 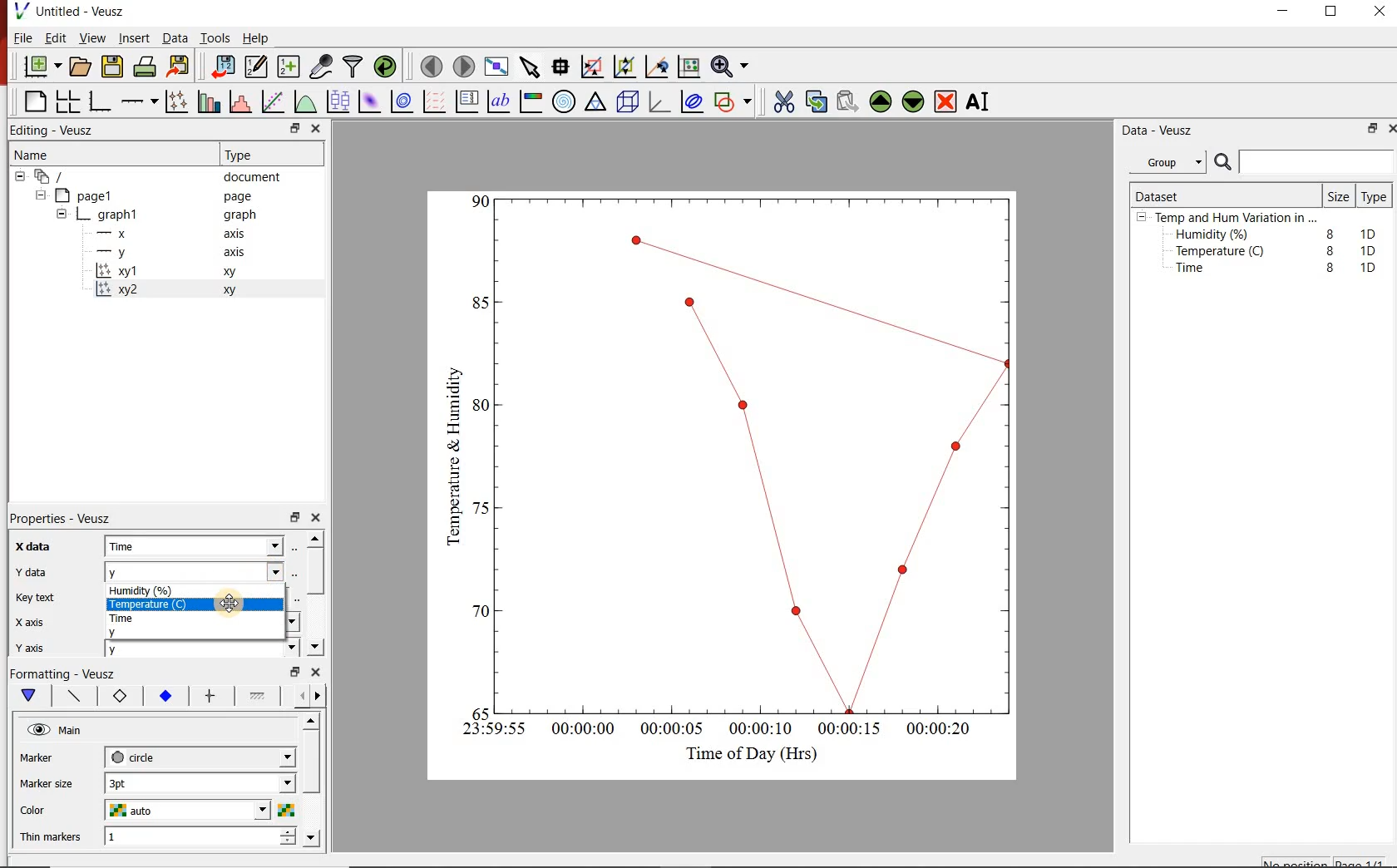 I want to click on Temperature & Humidity, so click(x=449, y=451).